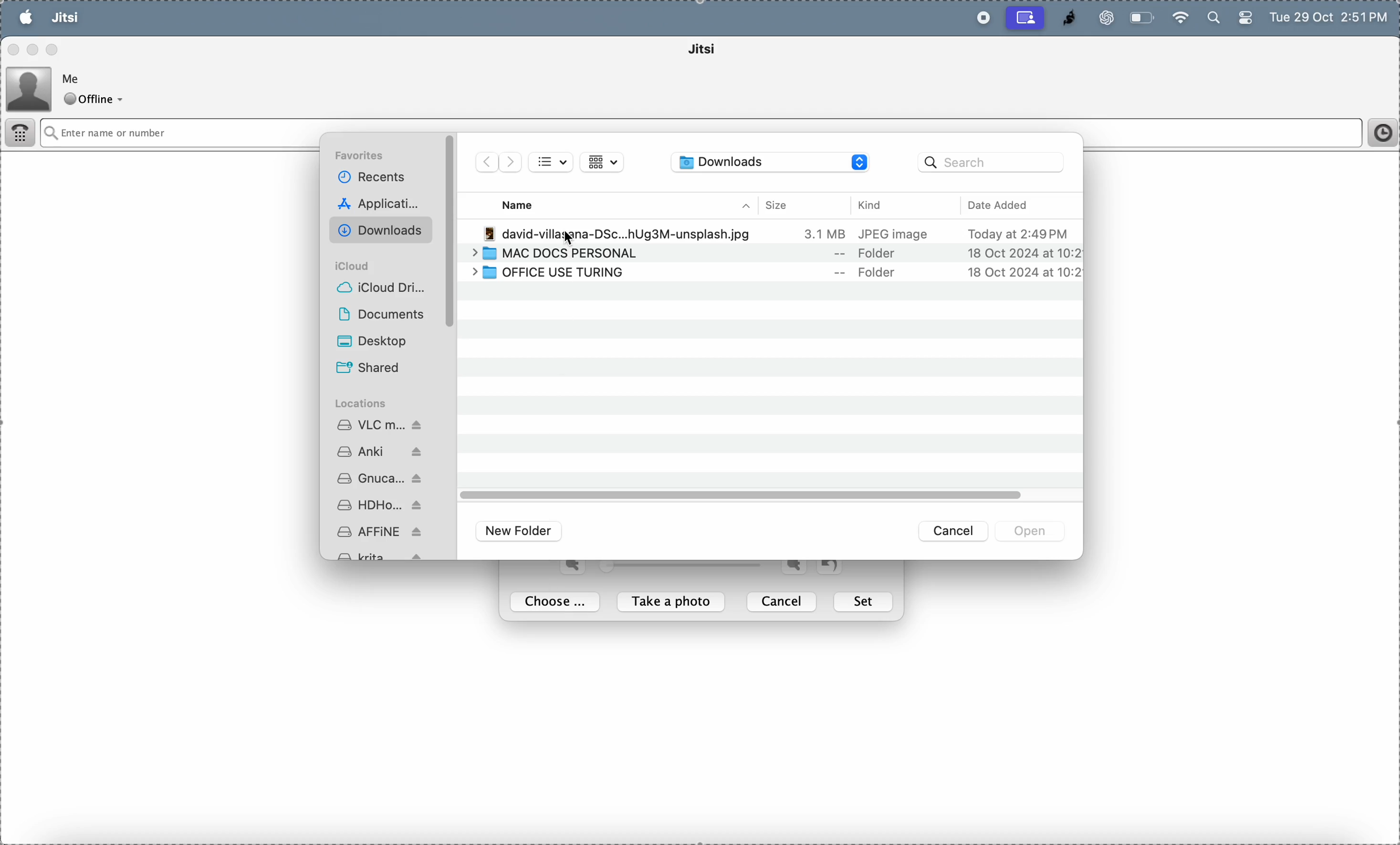 Image resolution: width=1400 pixels, height=845 pixels. Describe the element at coordinates (718, 51) in the screenshot. I see `jitsi ` at that location.